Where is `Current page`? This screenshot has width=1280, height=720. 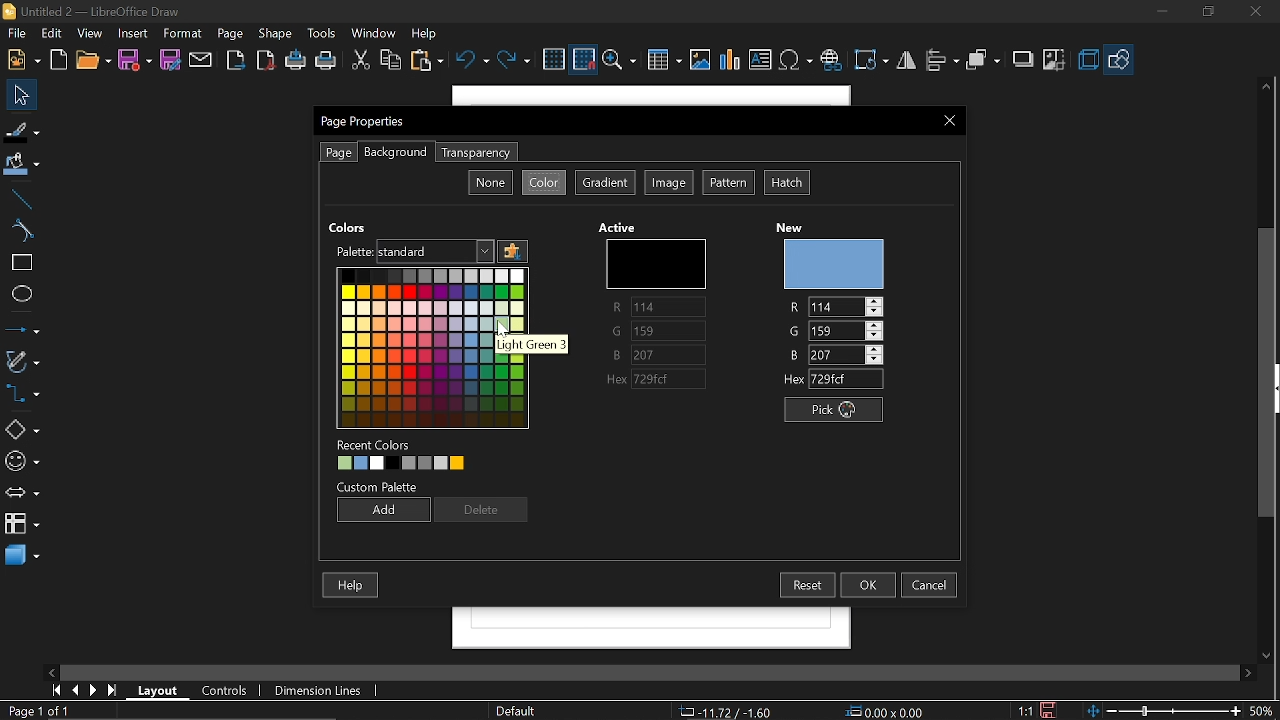 Current page is located at coordinates (38, 711).